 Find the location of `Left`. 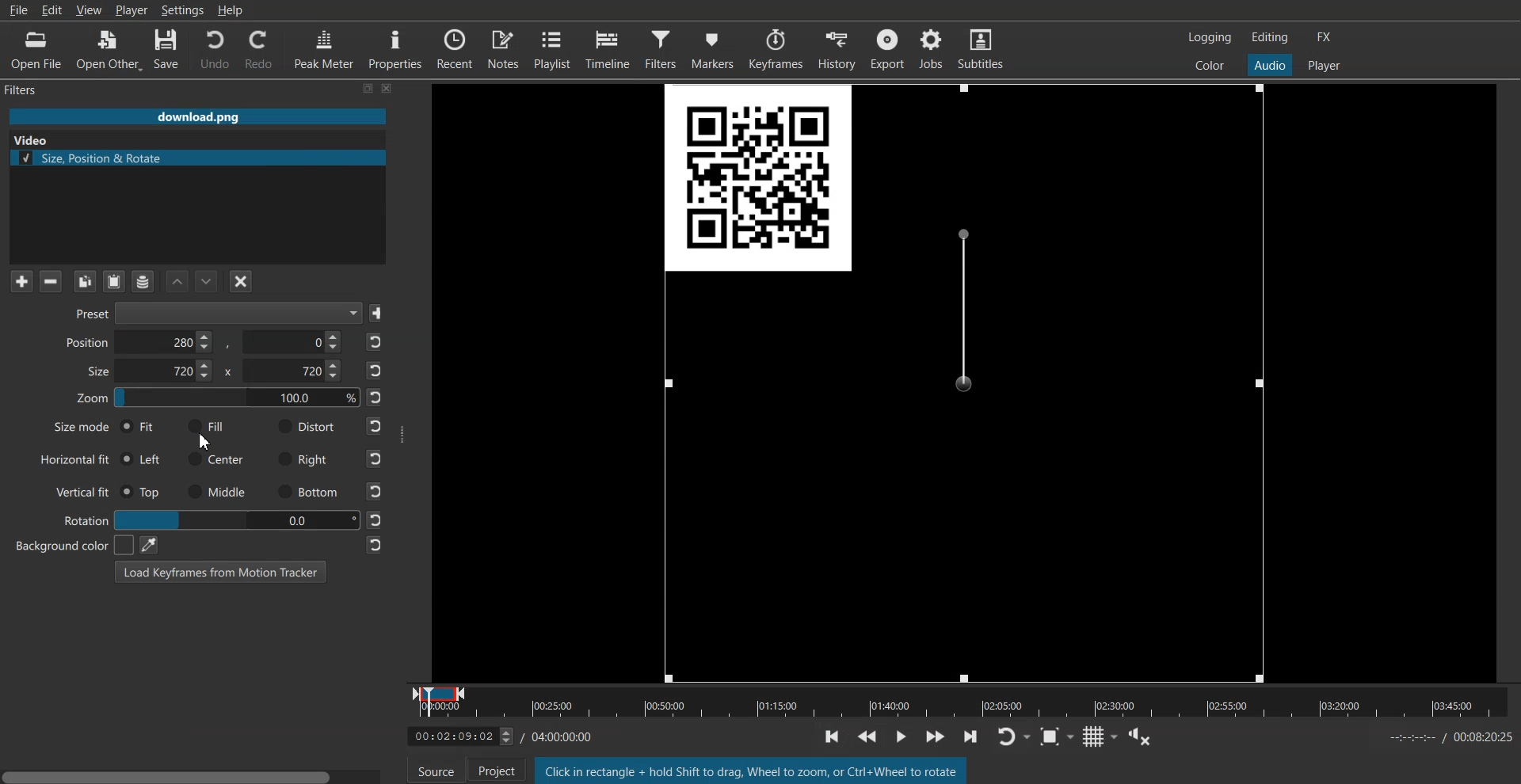

Left is located at coordinates (142, 459).